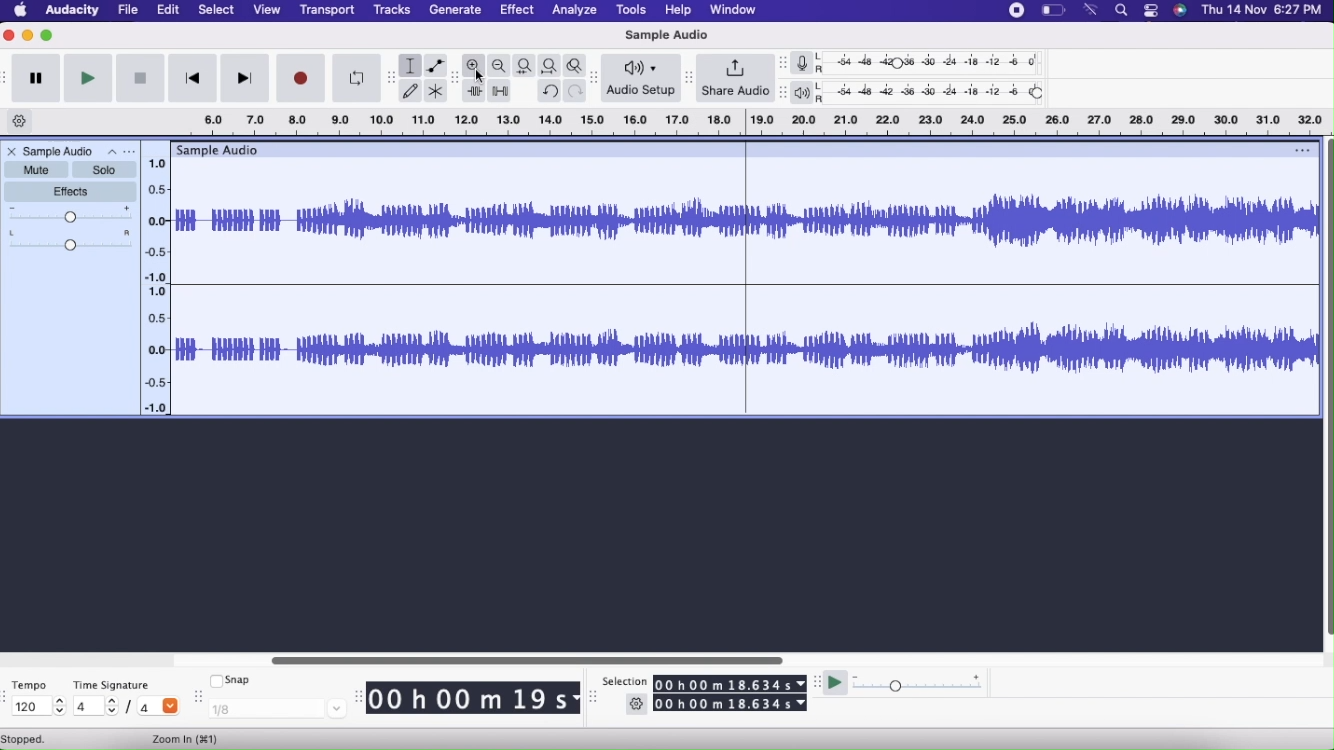  I want to click on Timeline options, so click(20, 122).